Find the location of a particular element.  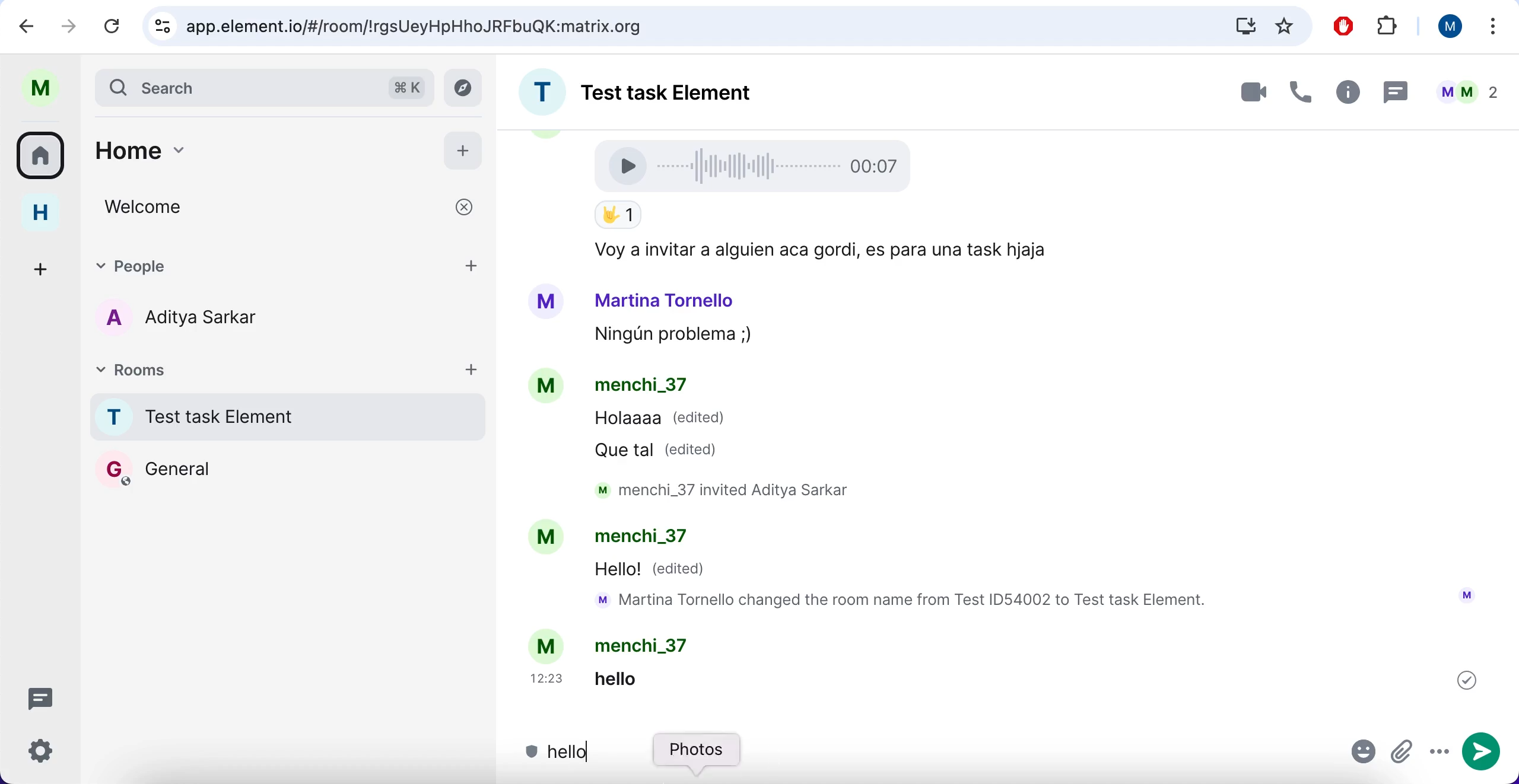

rooms is located at coordinates (195, 368).